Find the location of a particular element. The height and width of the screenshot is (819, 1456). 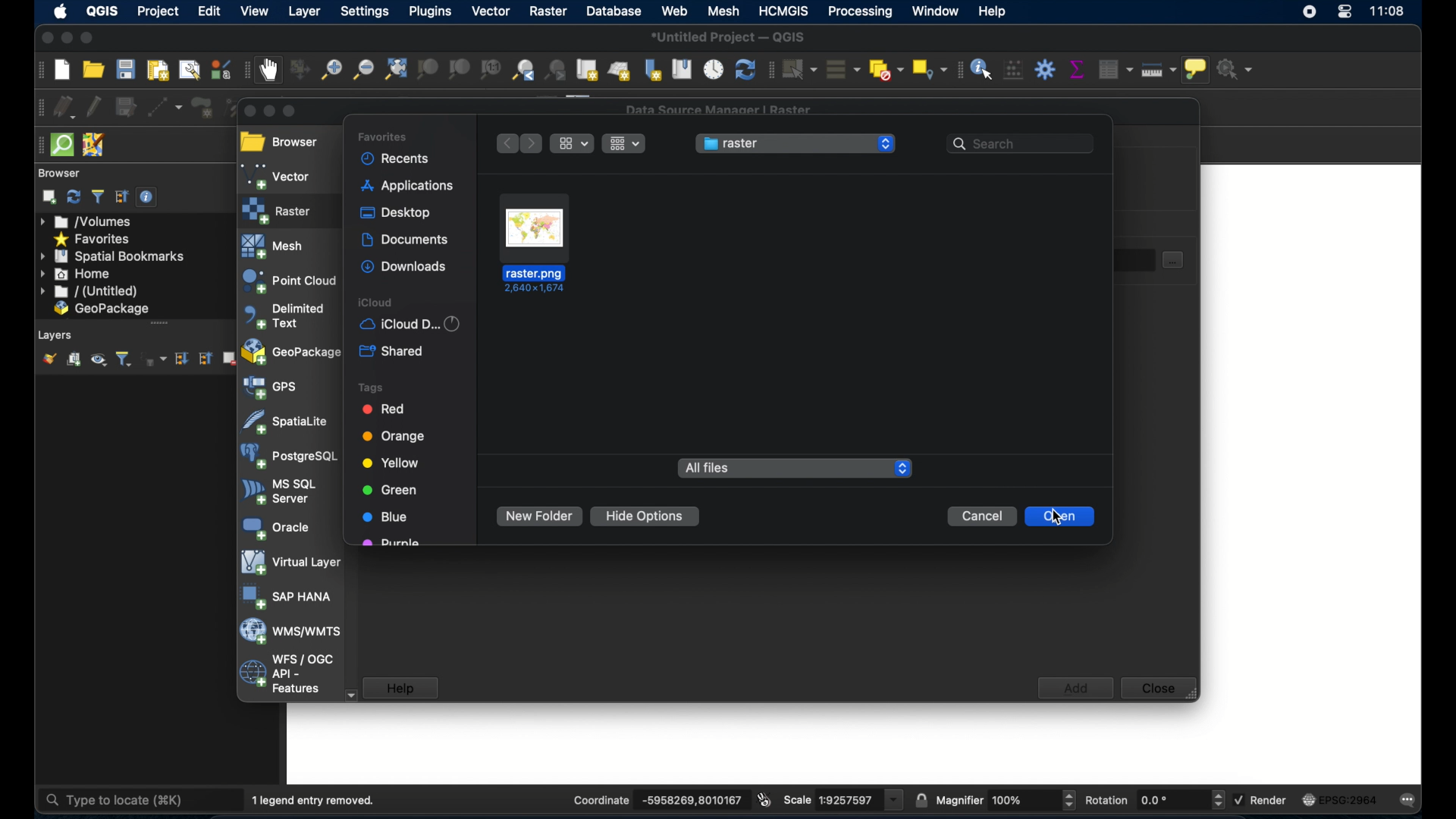

hide options is located at coordinates (645, 514).